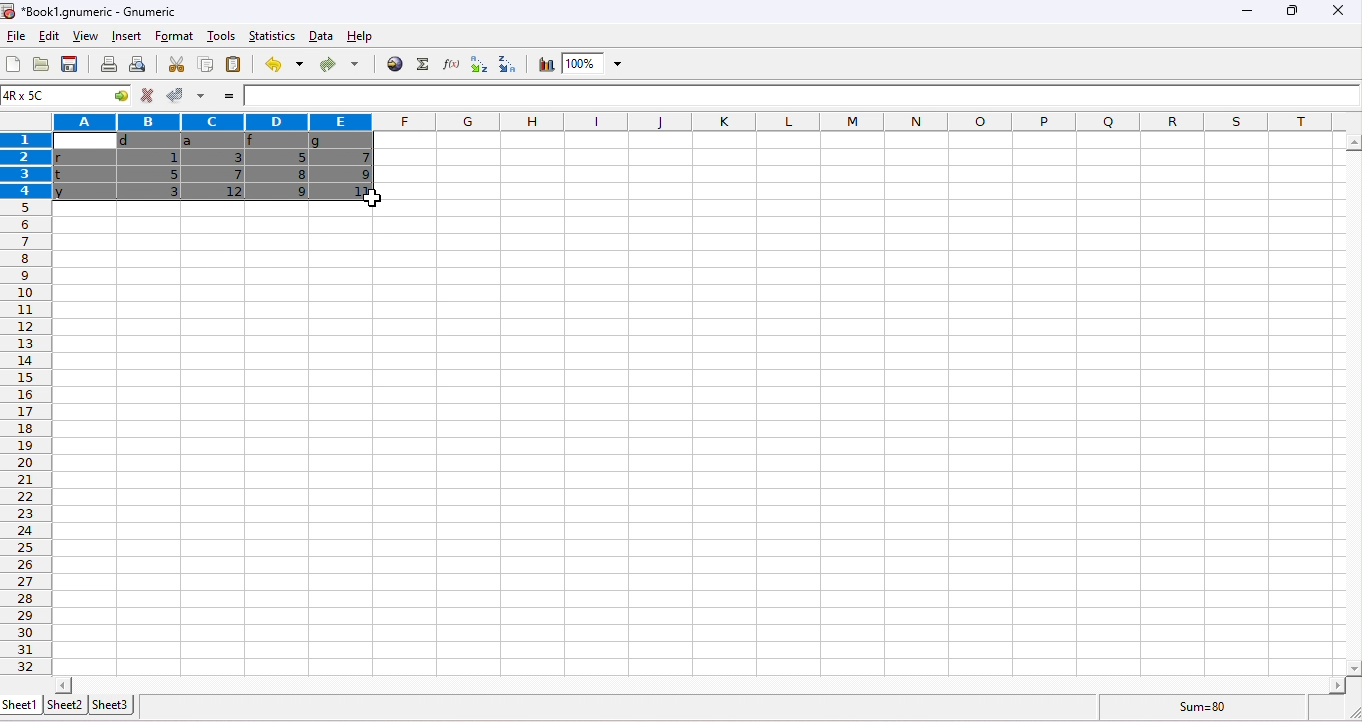  Describe the element at coordinates (43, 65) in the screenshot. I see `open` at that location.